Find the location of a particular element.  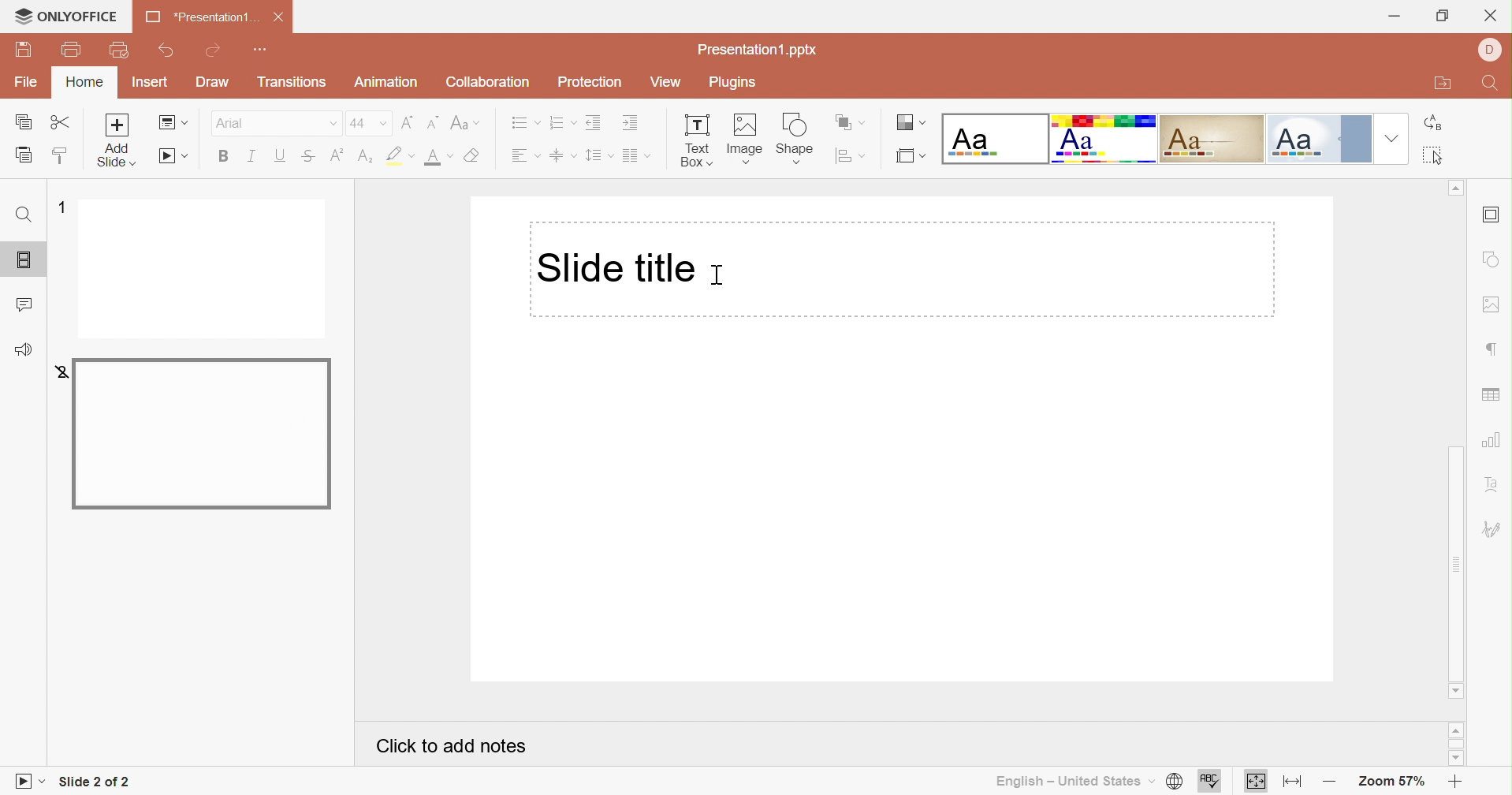

Table settings is located at coordinates (1493, 395).